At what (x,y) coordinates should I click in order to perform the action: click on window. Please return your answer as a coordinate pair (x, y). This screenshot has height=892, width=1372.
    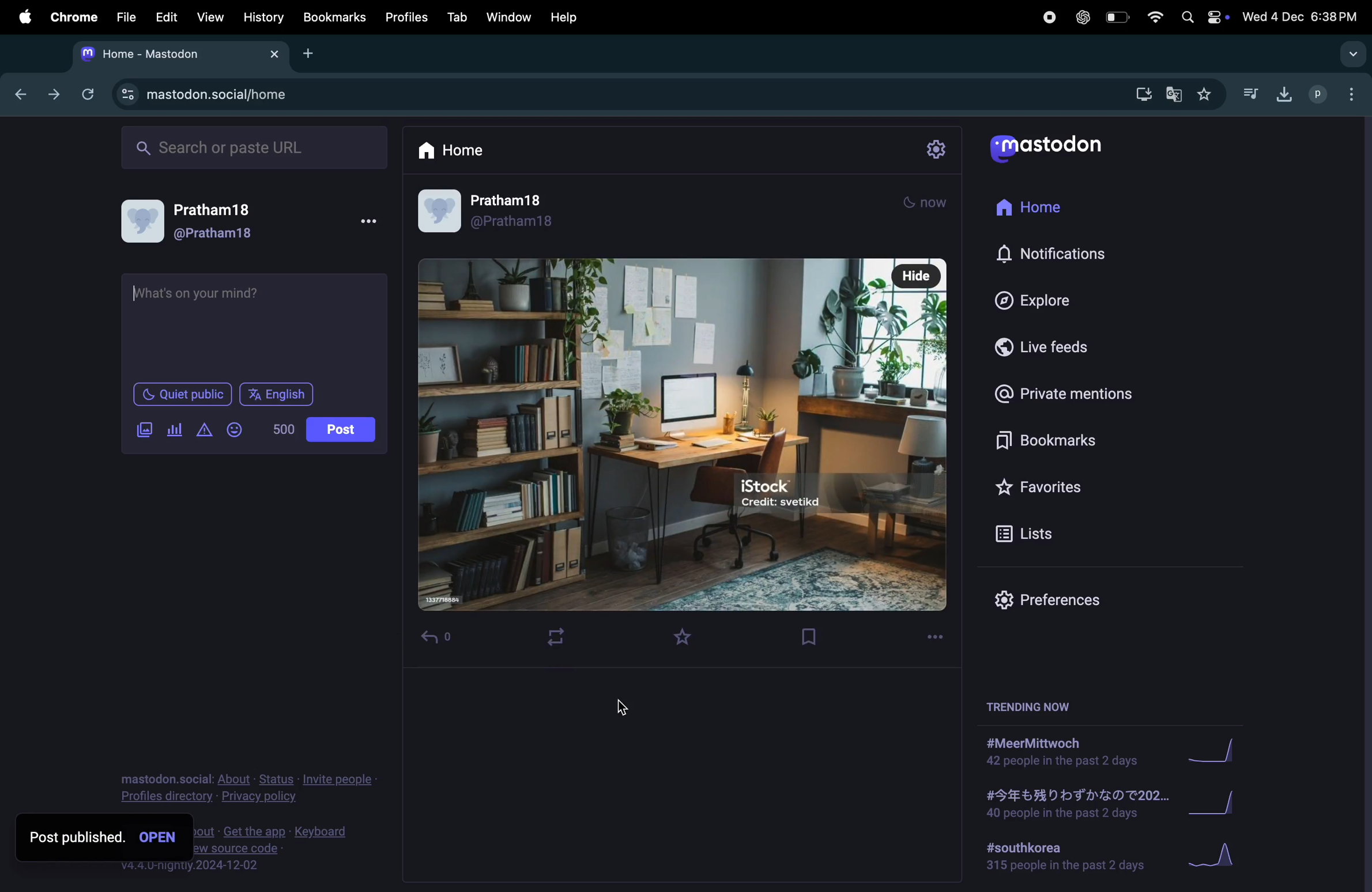
    Looking at the image, I should click on (511, 16).